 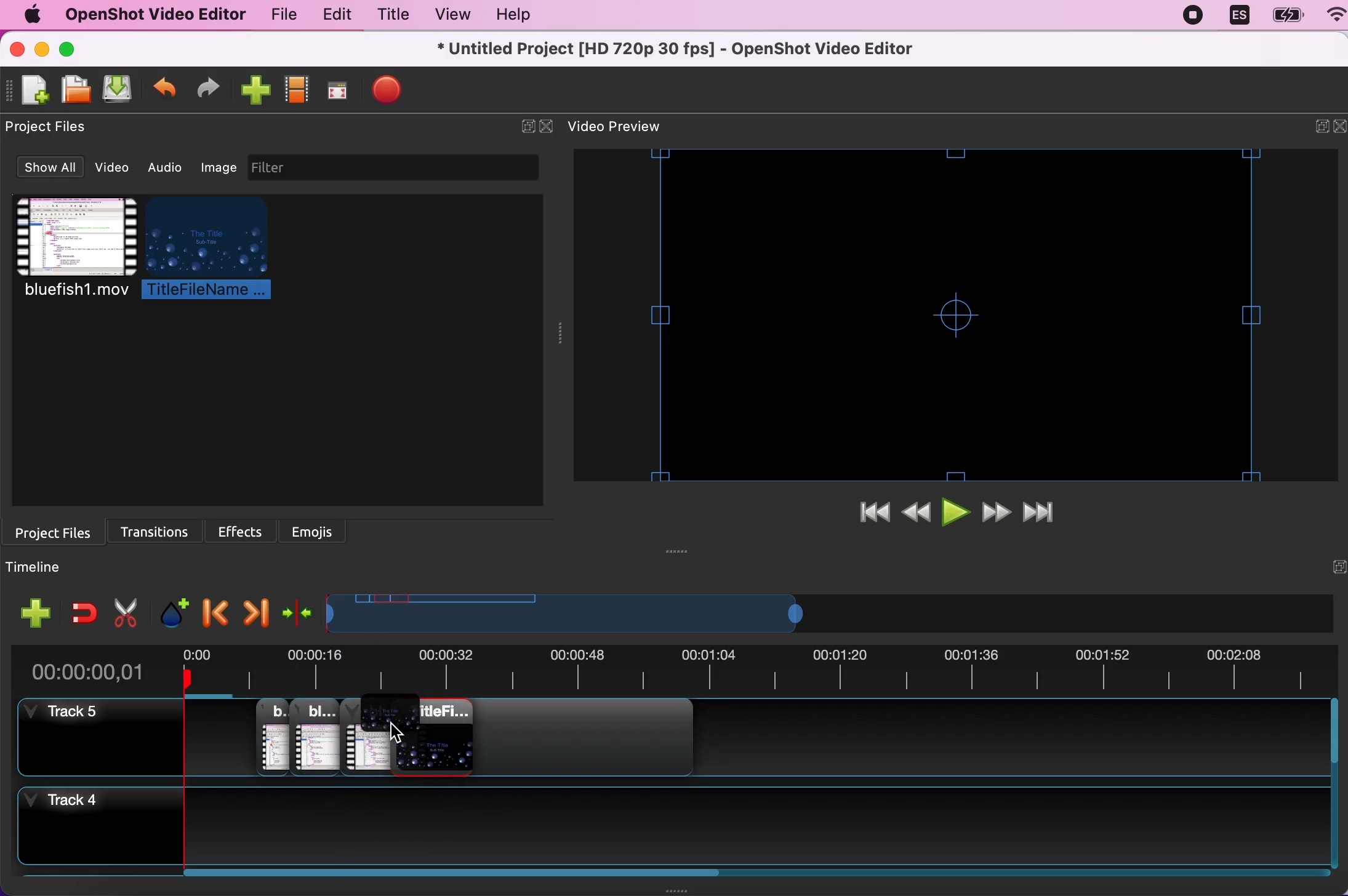 What do you see at coordinates (1283, 16) in the screenshot?
I see `battery` at bounding box center [1283, 16].